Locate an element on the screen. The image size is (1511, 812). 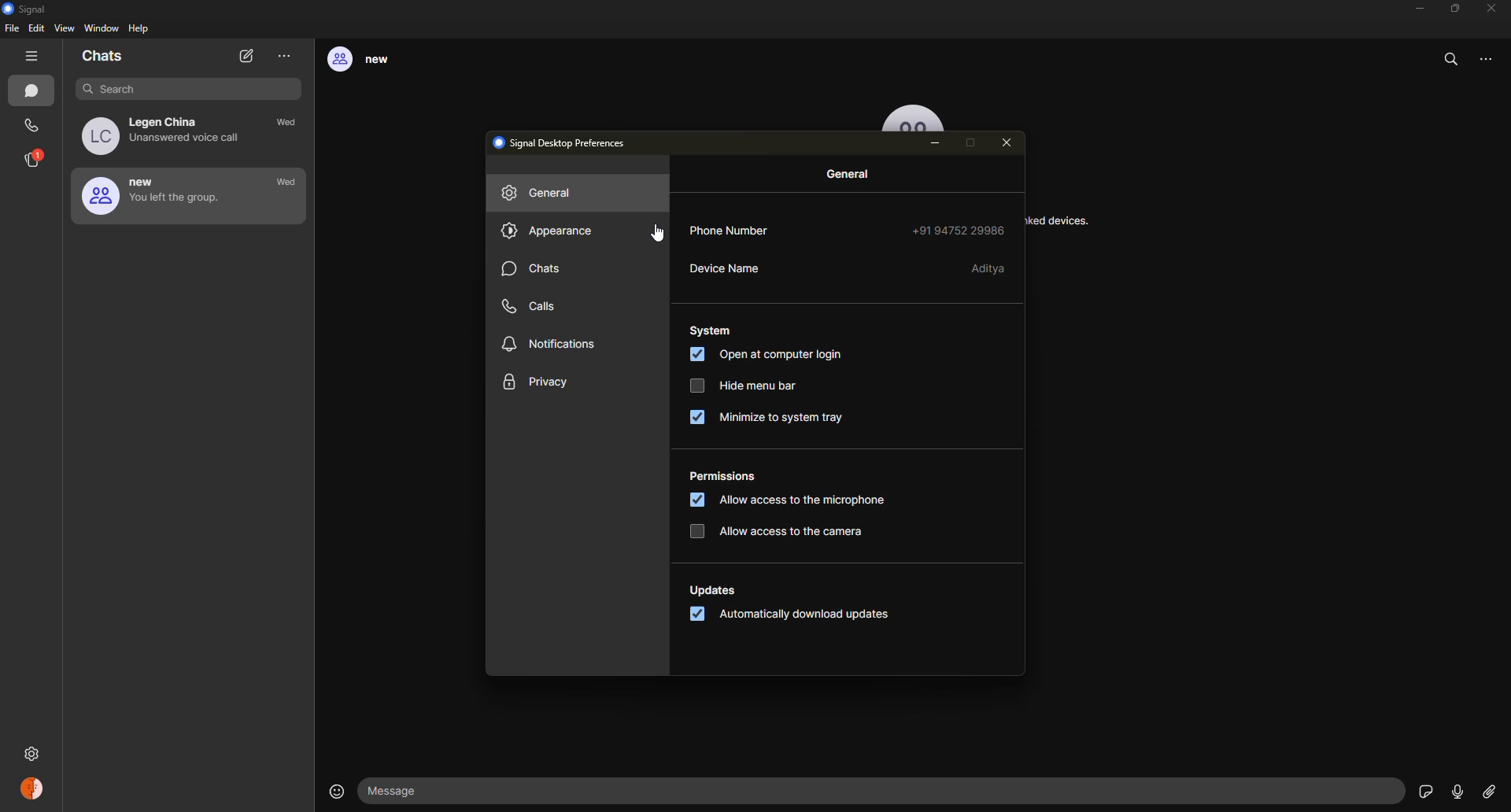
system is located at coordinates (713, 328).